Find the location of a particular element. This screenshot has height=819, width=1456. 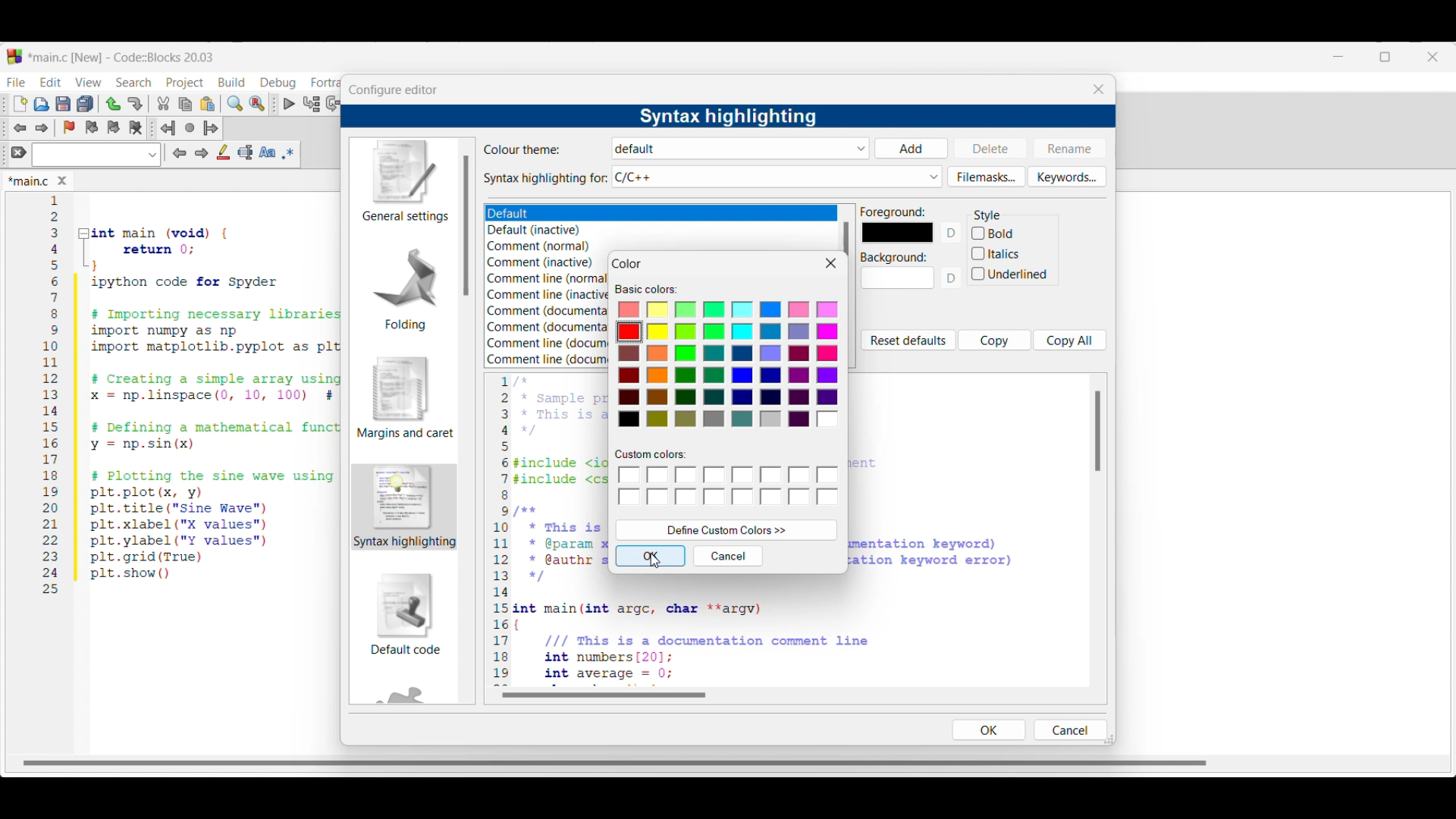

OK highlighted by cursor is located at coordinates (651, 556).